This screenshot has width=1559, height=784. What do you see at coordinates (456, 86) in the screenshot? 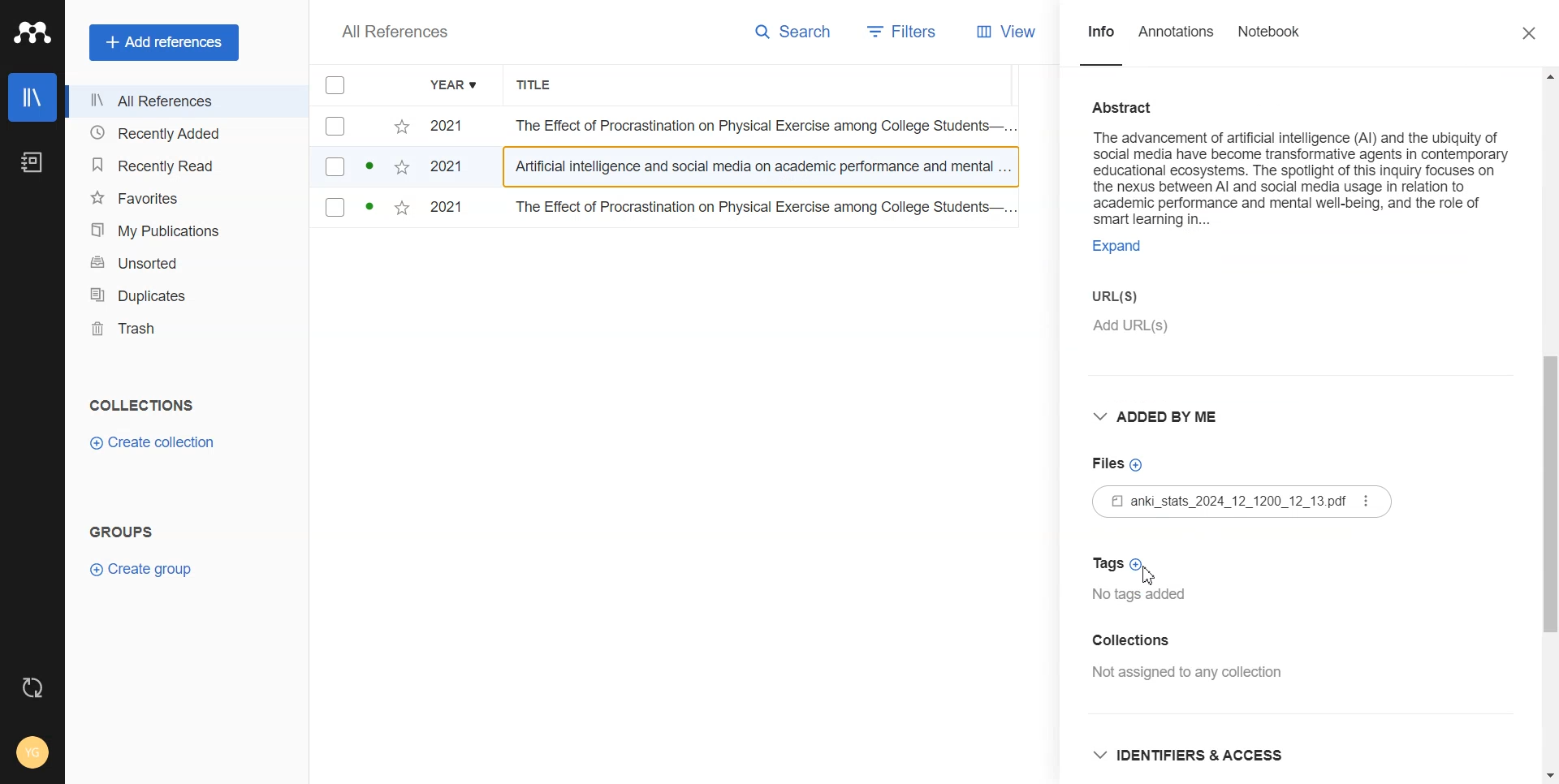
I see `Year` at bounding box center [456, 86].